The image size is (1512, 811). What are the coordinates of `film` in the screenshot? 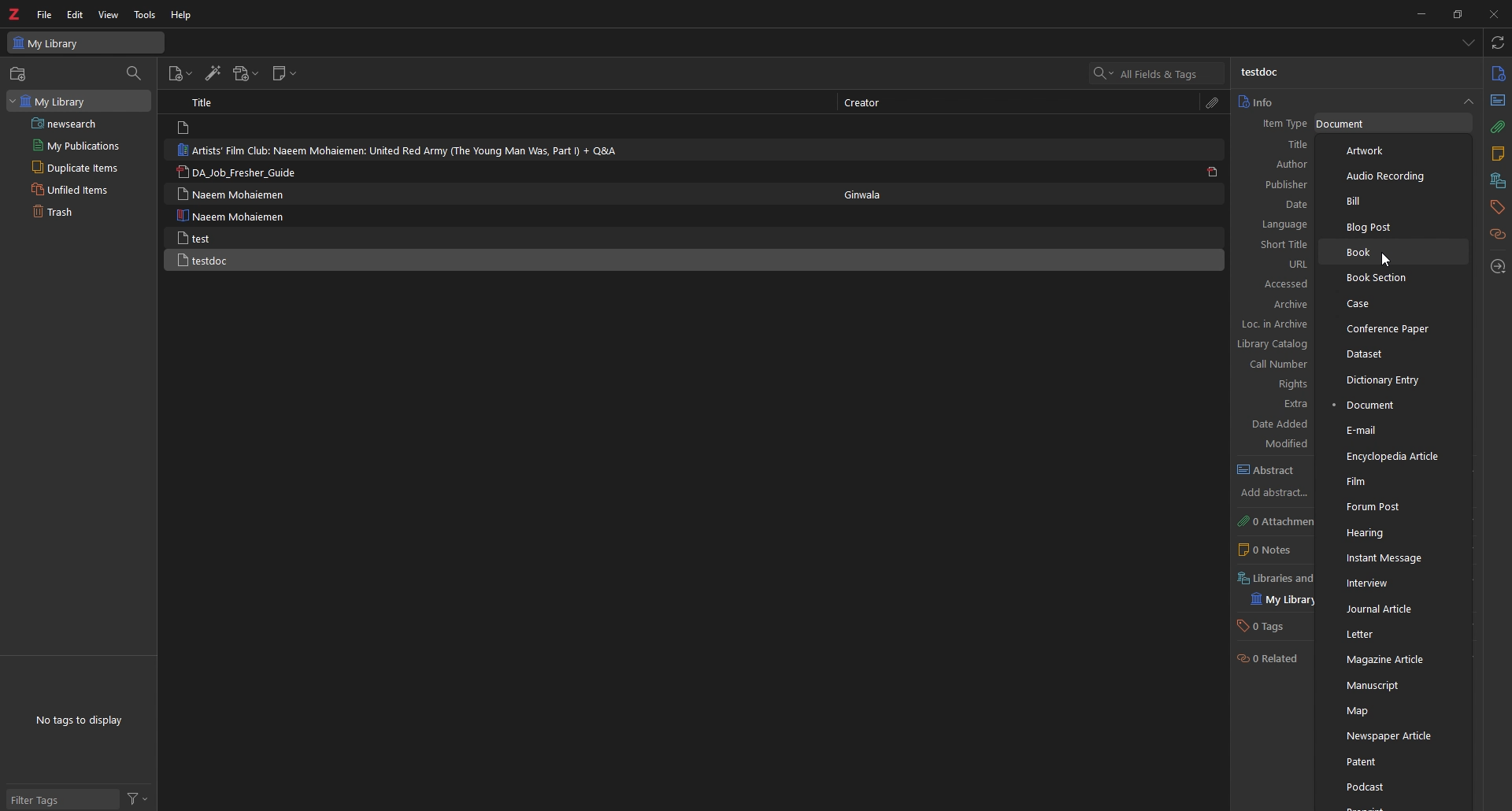 It's located at (1393, 482).